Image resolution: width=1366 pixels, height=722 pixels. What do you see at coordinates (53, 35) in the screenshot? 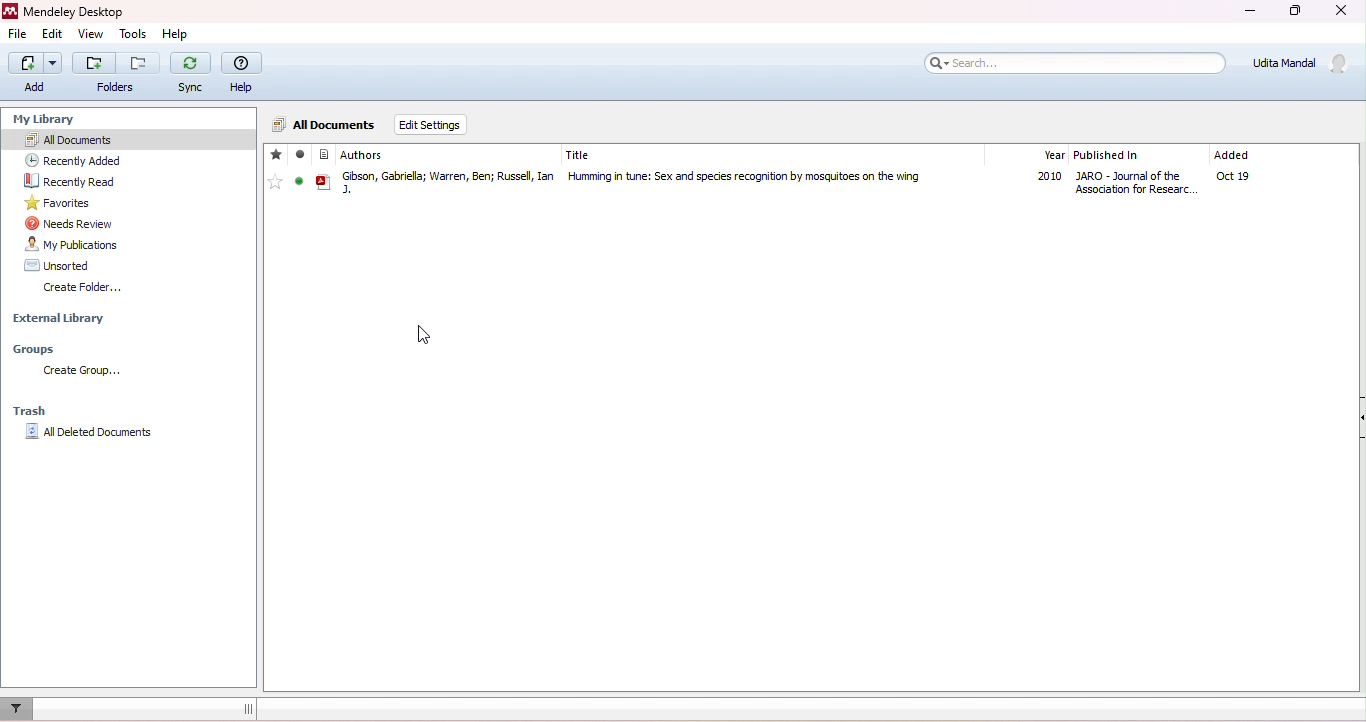
I see `edit` at bounding box center [53, 35].